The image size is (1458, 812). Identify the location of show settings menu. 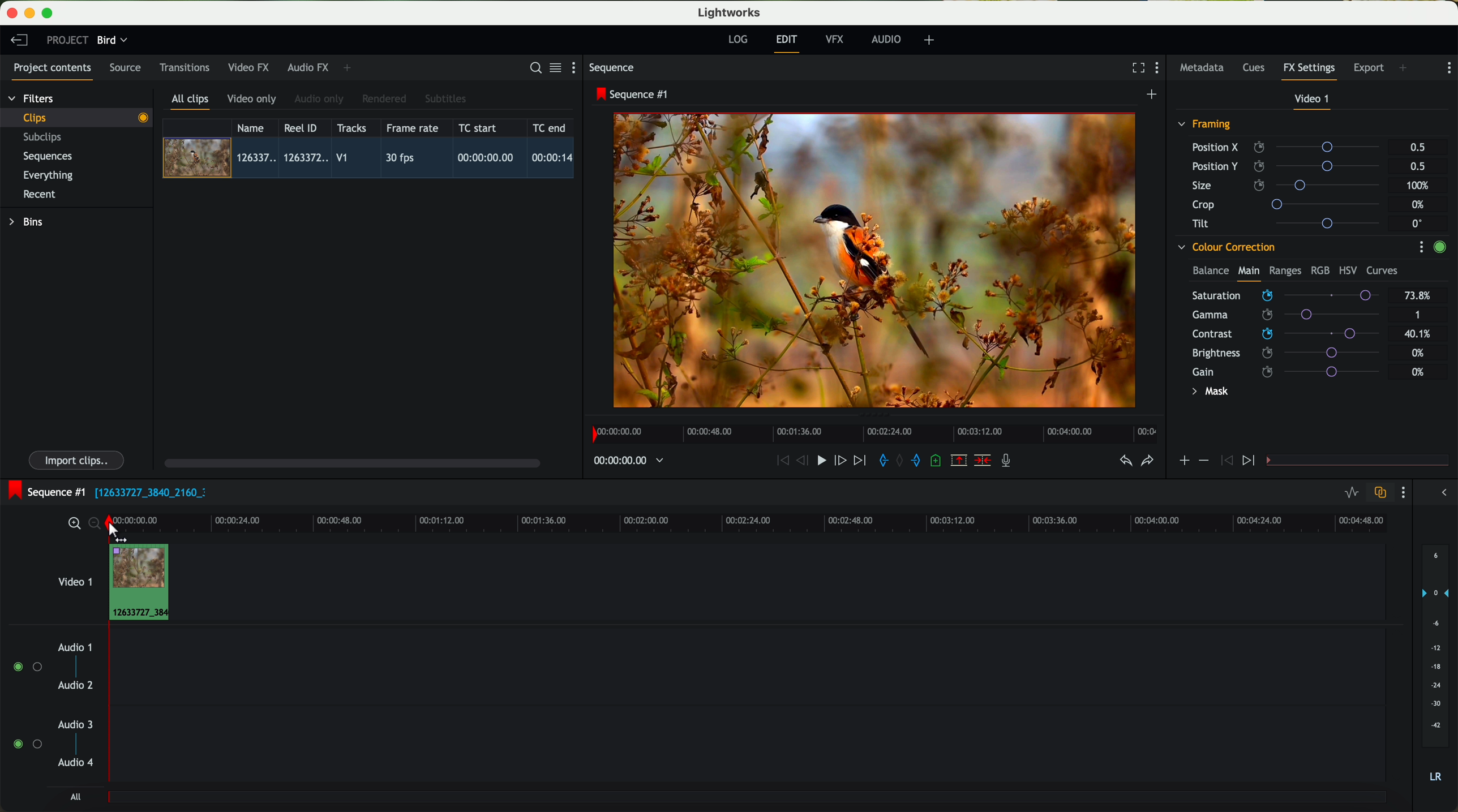
(1160, 69).